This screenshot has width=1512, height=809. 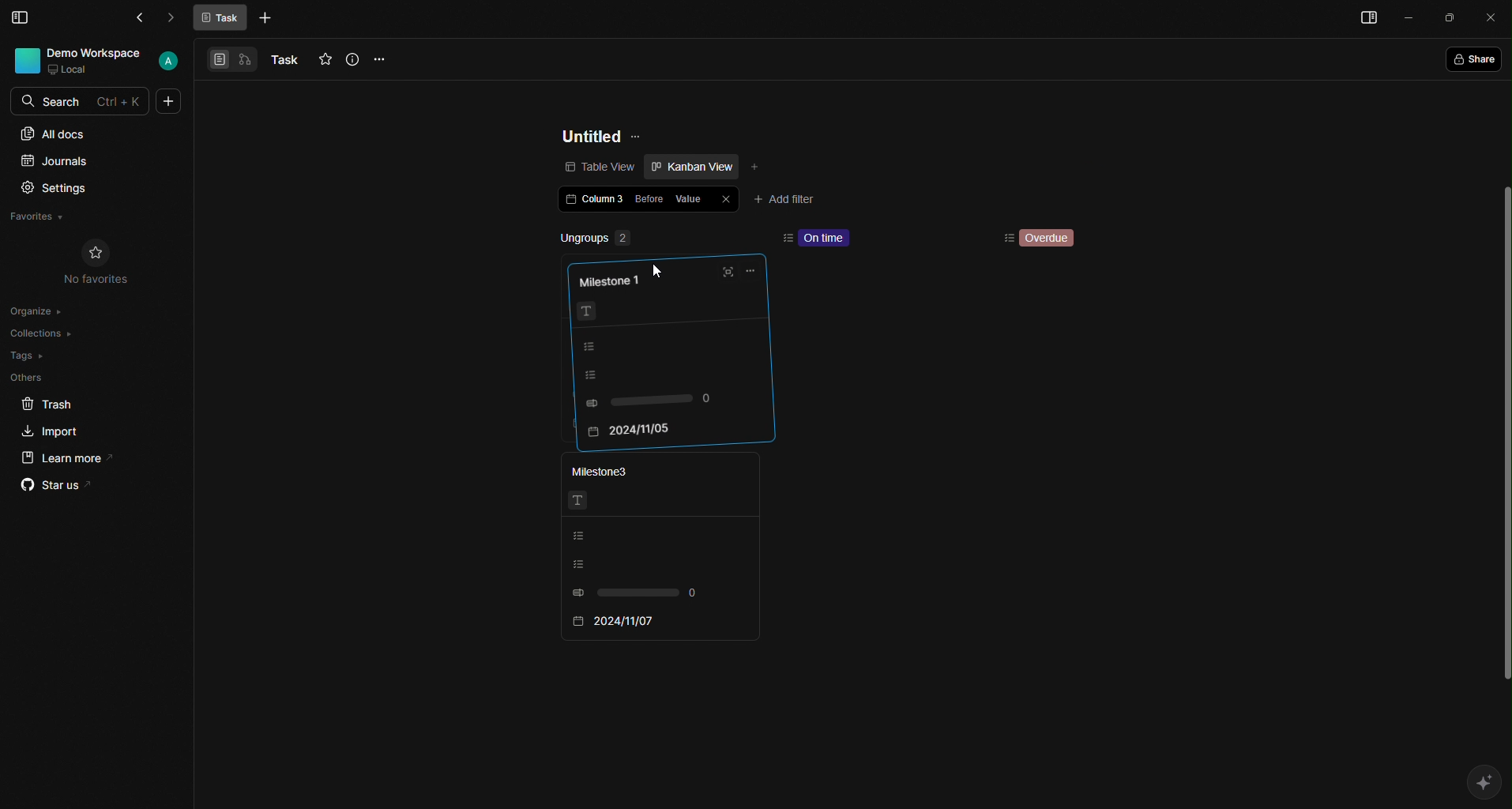 What do you see at coordinates (591, 303) in the screenshot?
I see `Text` at bounding box center [591, 303].